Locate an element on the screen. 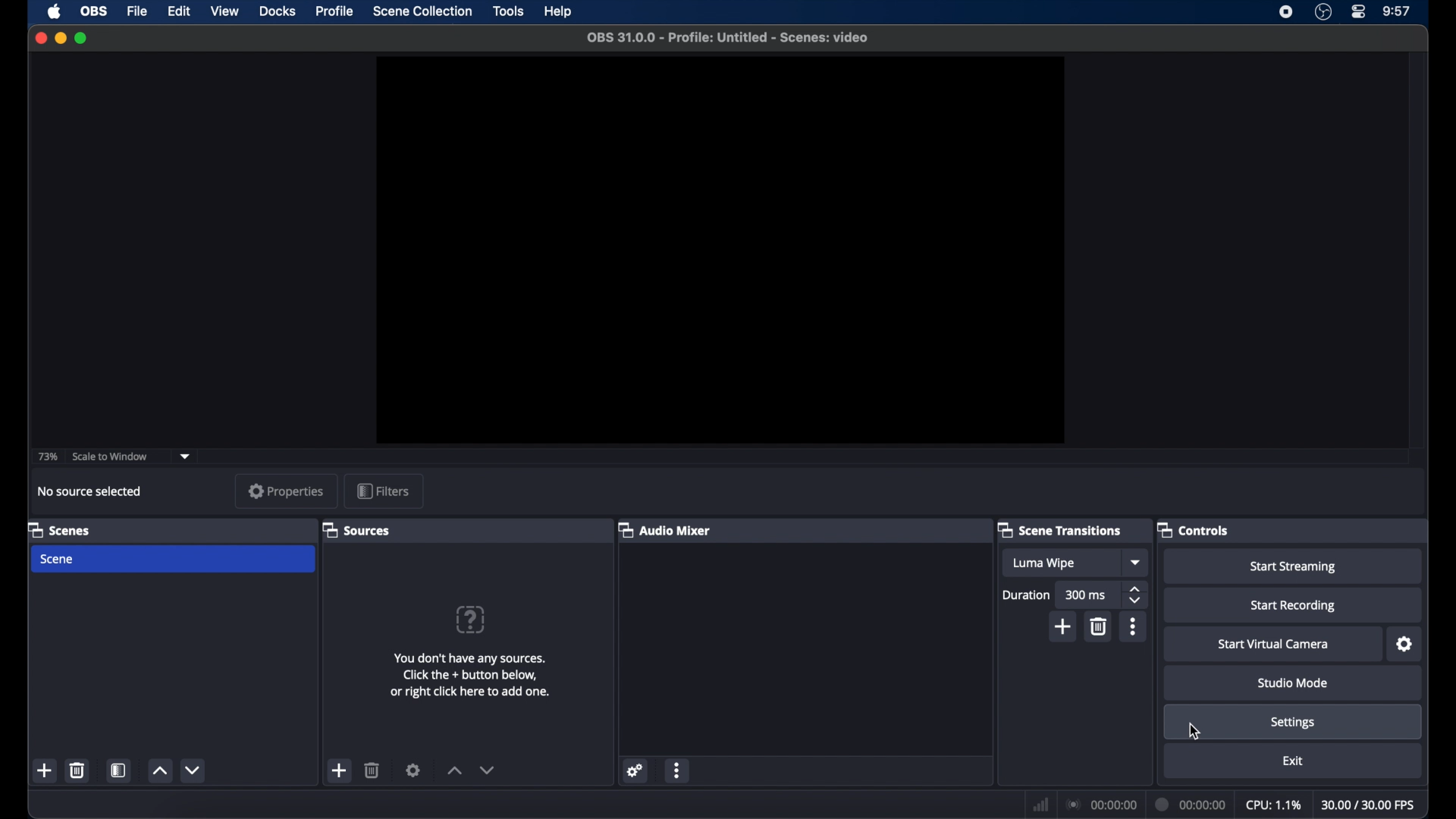 Image resolution: width=1456 pixels, height=819 pixels. more options is located at coordinates (1134, 626).